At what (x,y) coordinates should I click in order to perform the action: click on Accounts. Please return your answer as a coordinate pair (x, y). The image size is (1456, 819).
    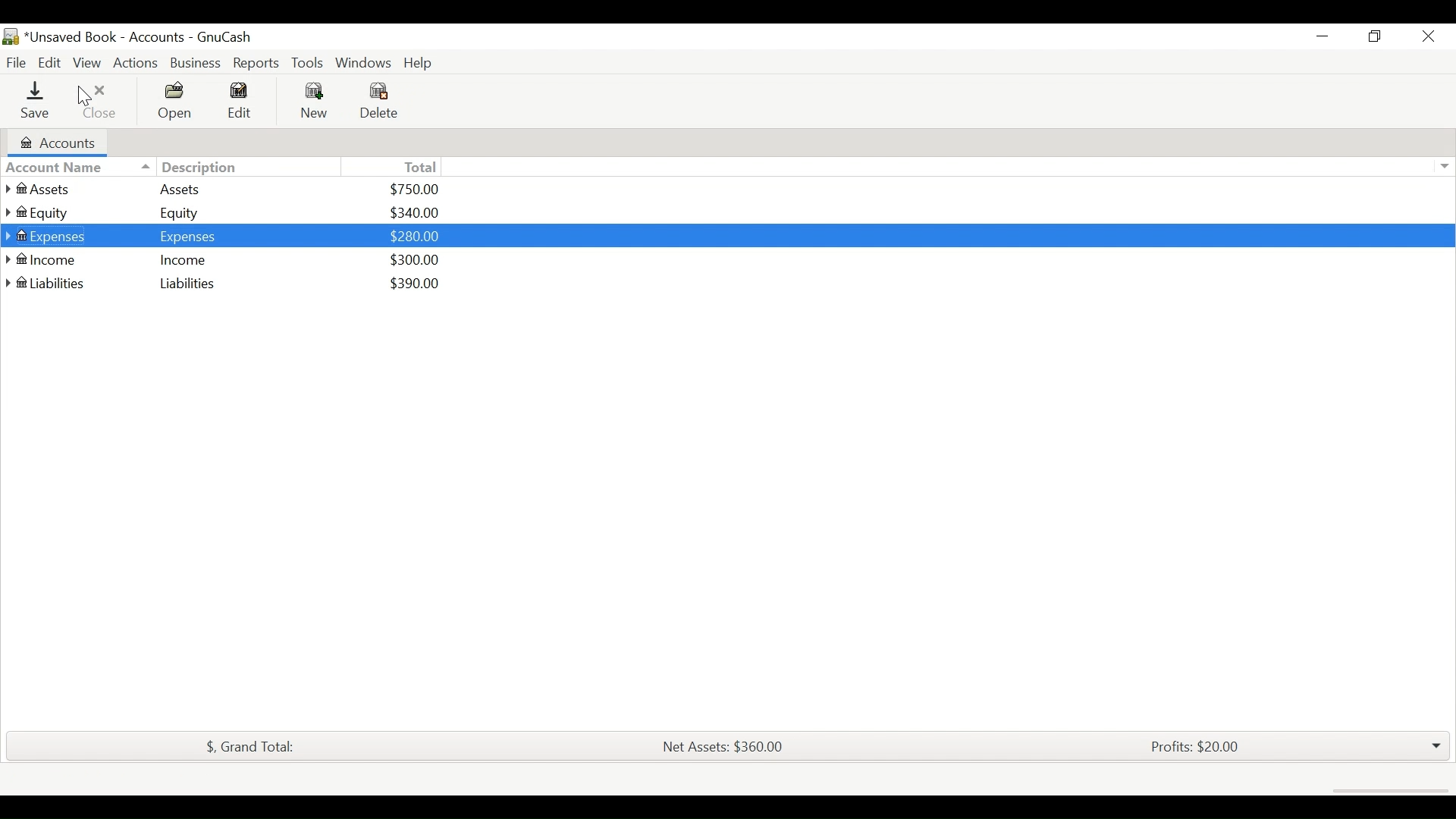
    Looking at the image, I should click on (71, 140).